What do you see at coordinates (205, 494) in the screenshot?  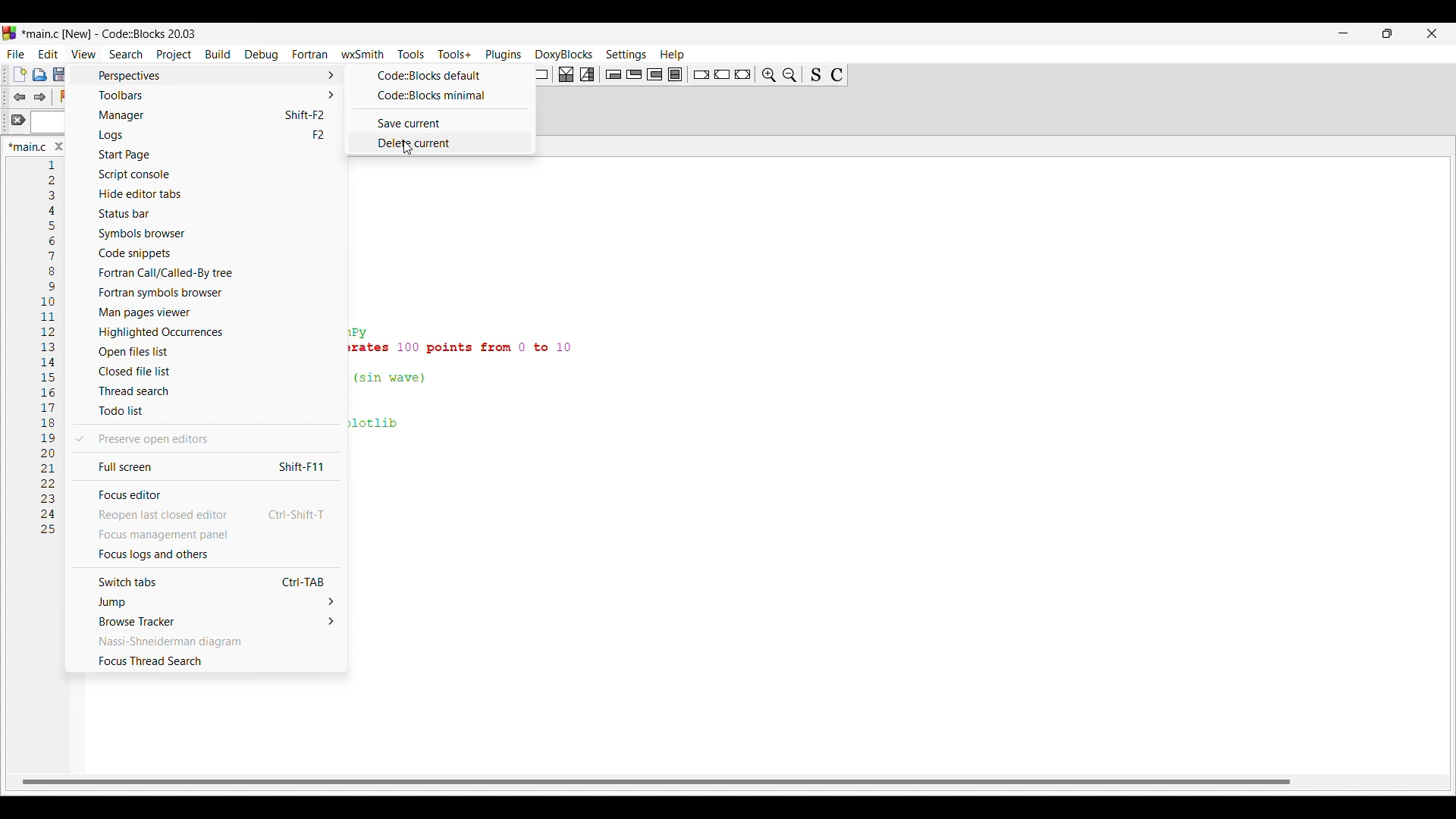 I see `Focus editor` at bounding box center [205, 494].